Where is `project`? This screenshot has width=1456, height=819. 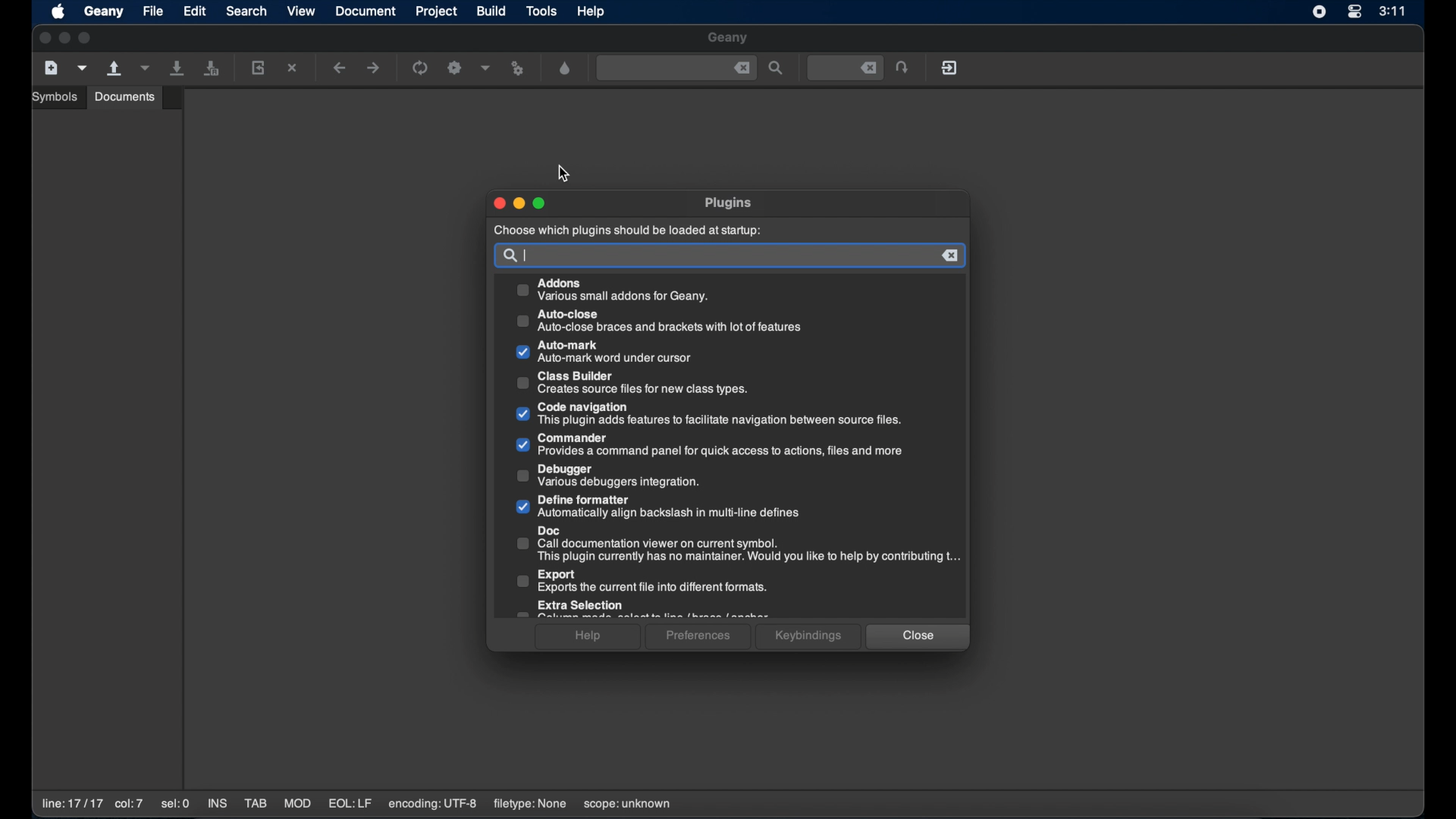
project is located at coordinates (438, 11).